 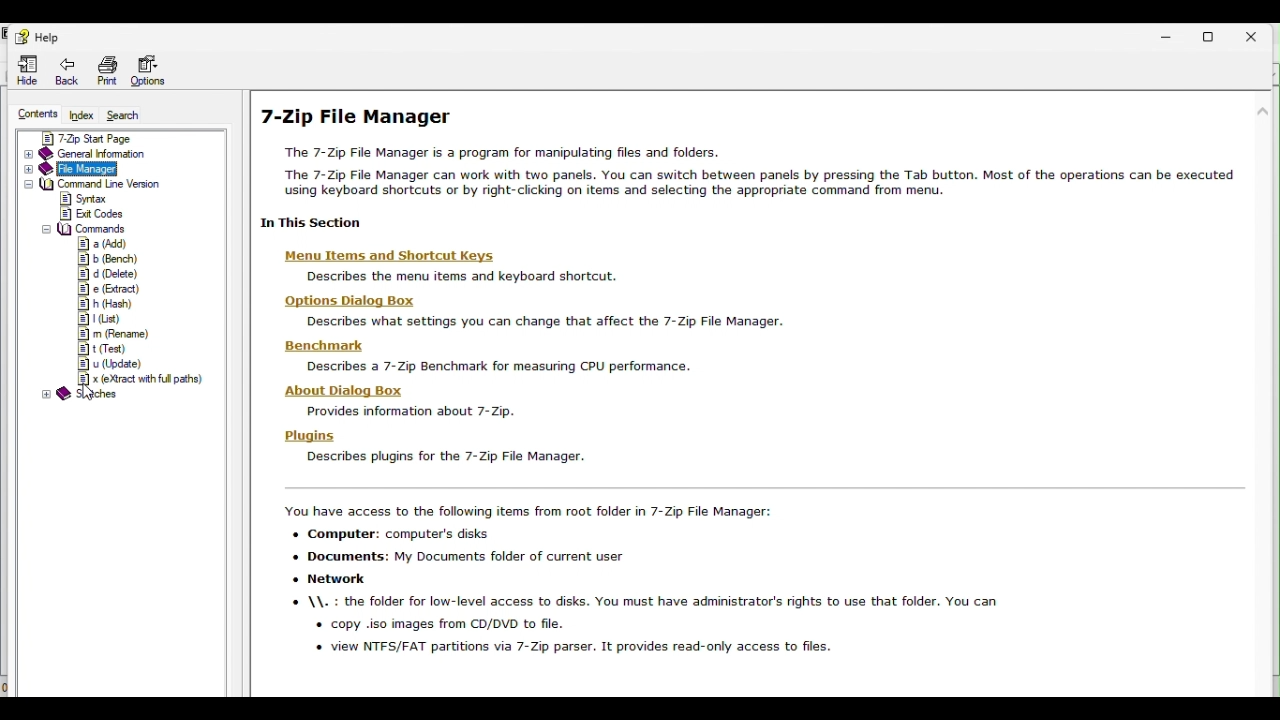 I want to click on Restore, so click(x=1213, y=35).